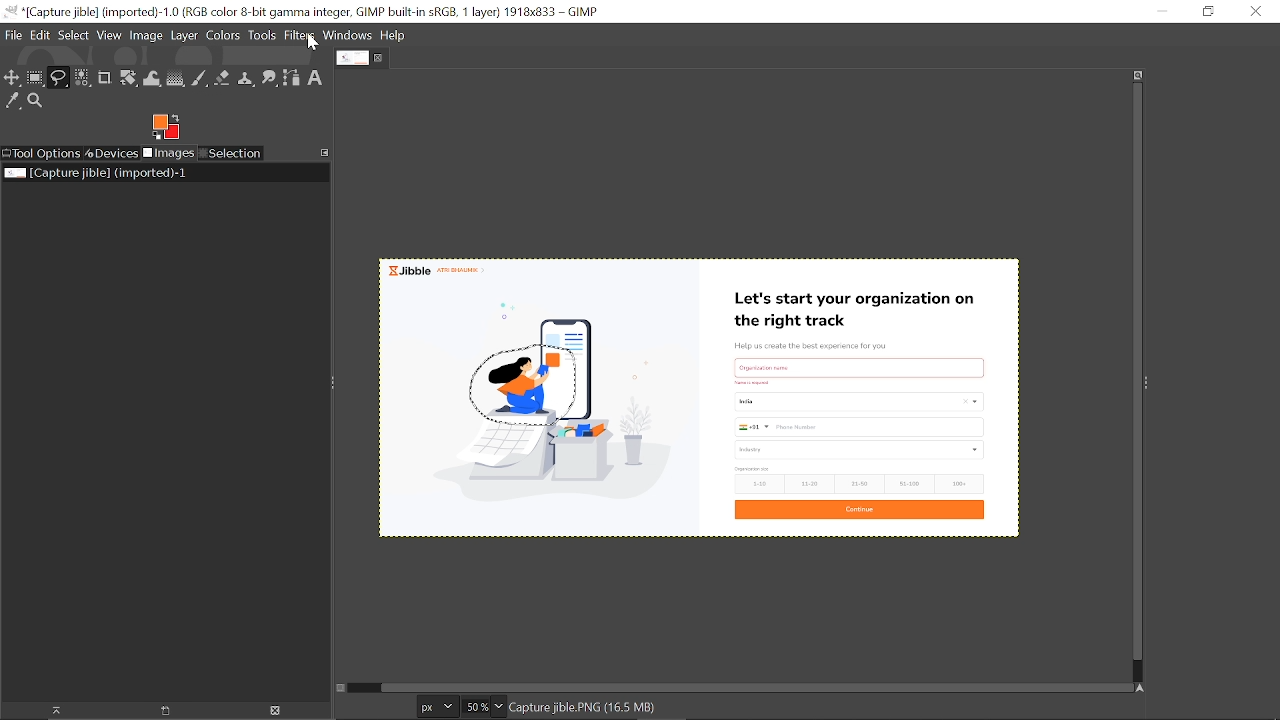 The width and height of the screenshot is (1280, 720). I want to click on Paintbrush tool, so click(200, 79).